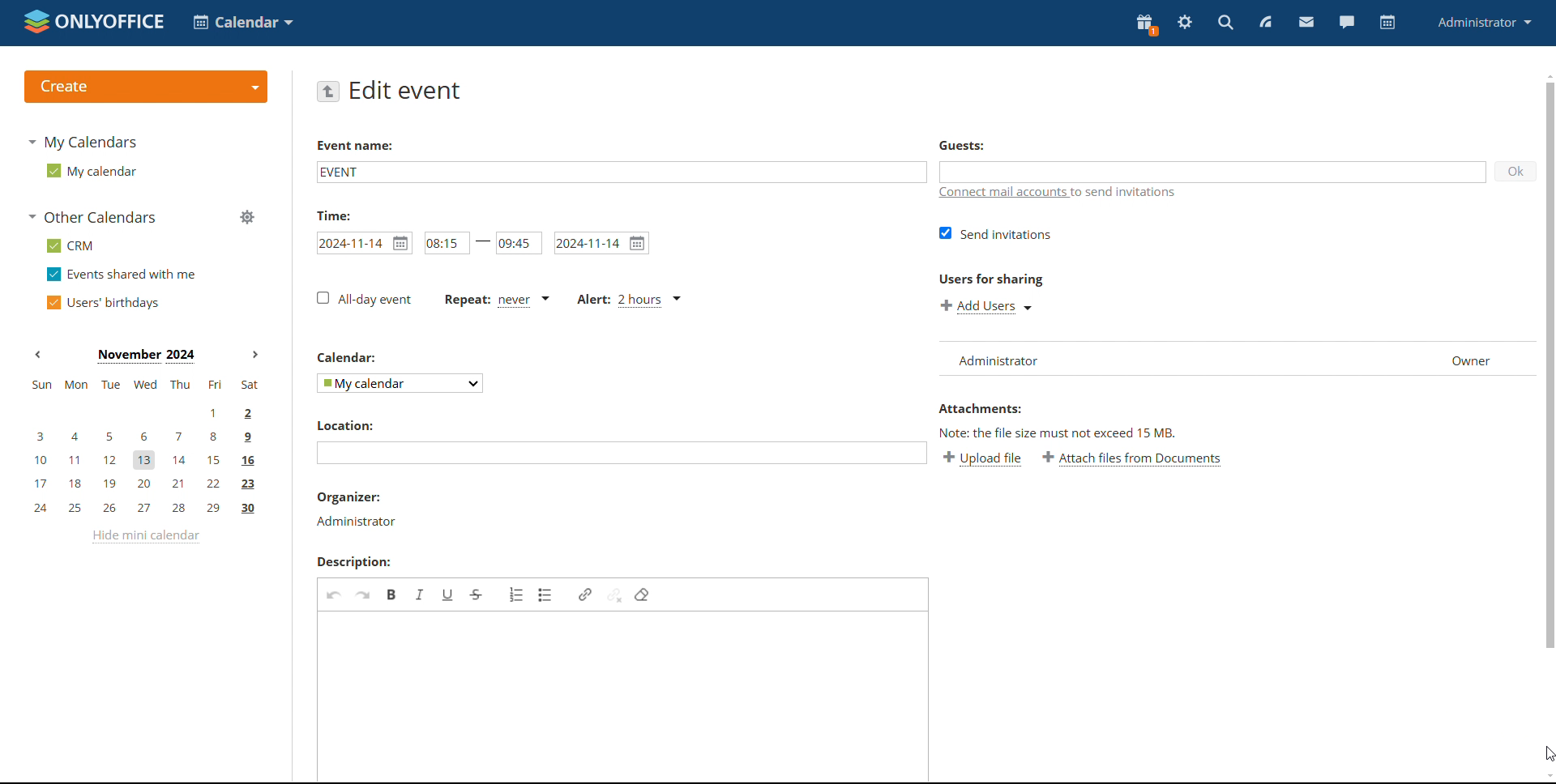 The image size is (1556, 784). What do you see at coordinates (144, 356) in the screenshot?
I see `current month` at bounding box center [144, 356].